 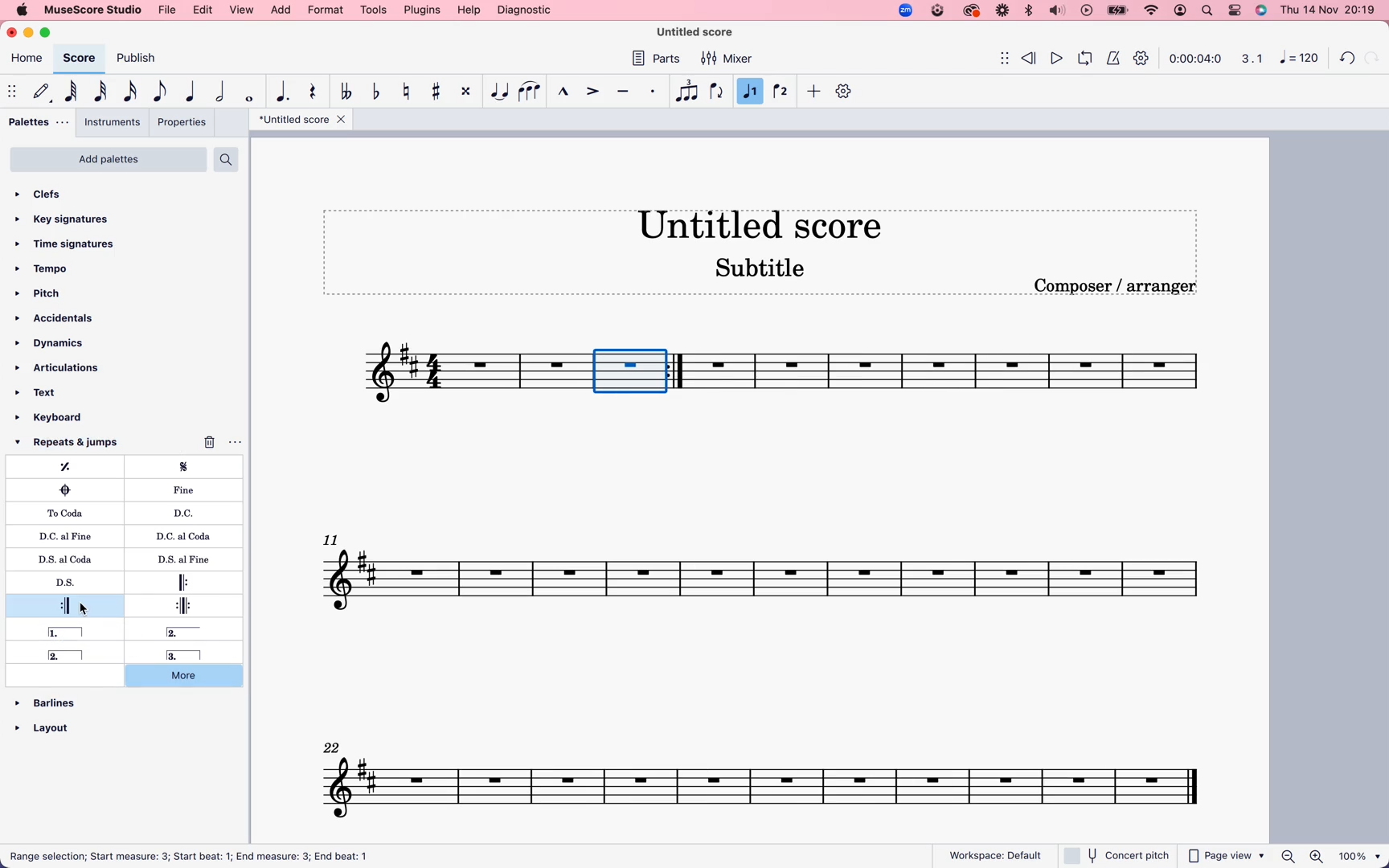 What do you see at coordinates (181, 122) in the screenshot?
I see `properties` at bounding box center [181, 122].